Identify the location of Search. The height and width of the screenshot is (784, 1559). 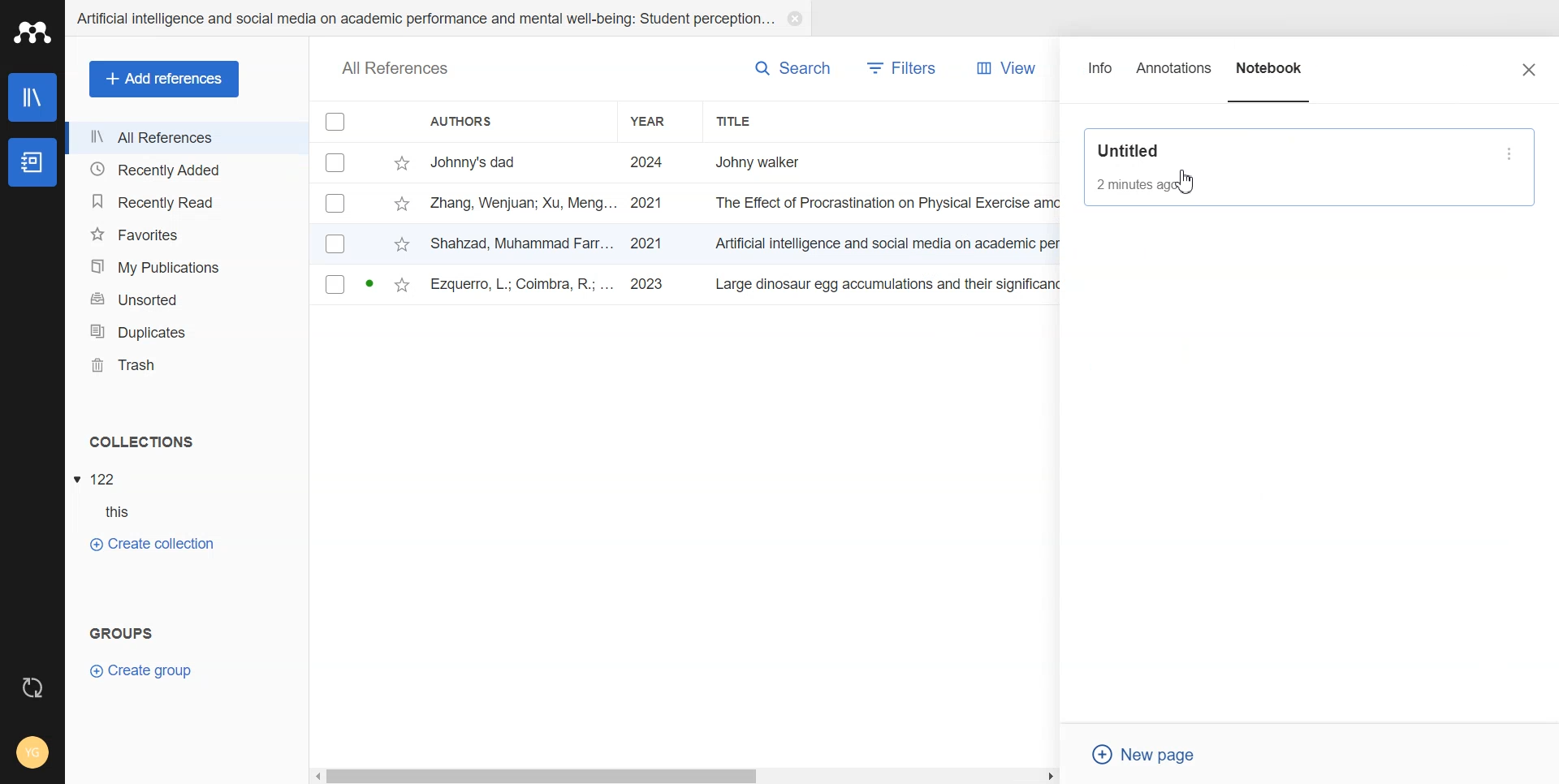
(792, 67).